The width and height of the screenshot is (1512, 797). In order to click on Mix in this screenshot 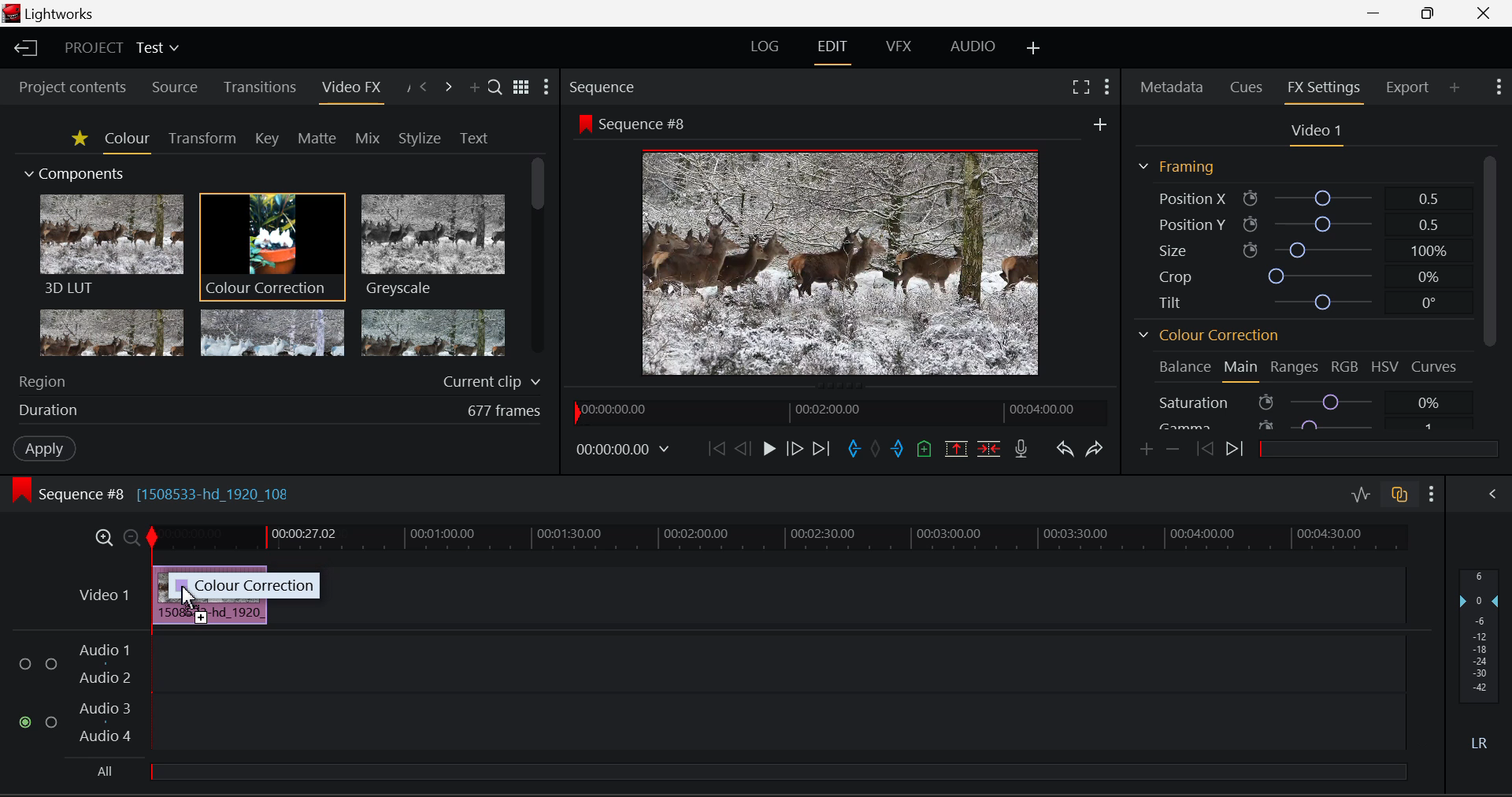, I will do `click(369, 137)`.